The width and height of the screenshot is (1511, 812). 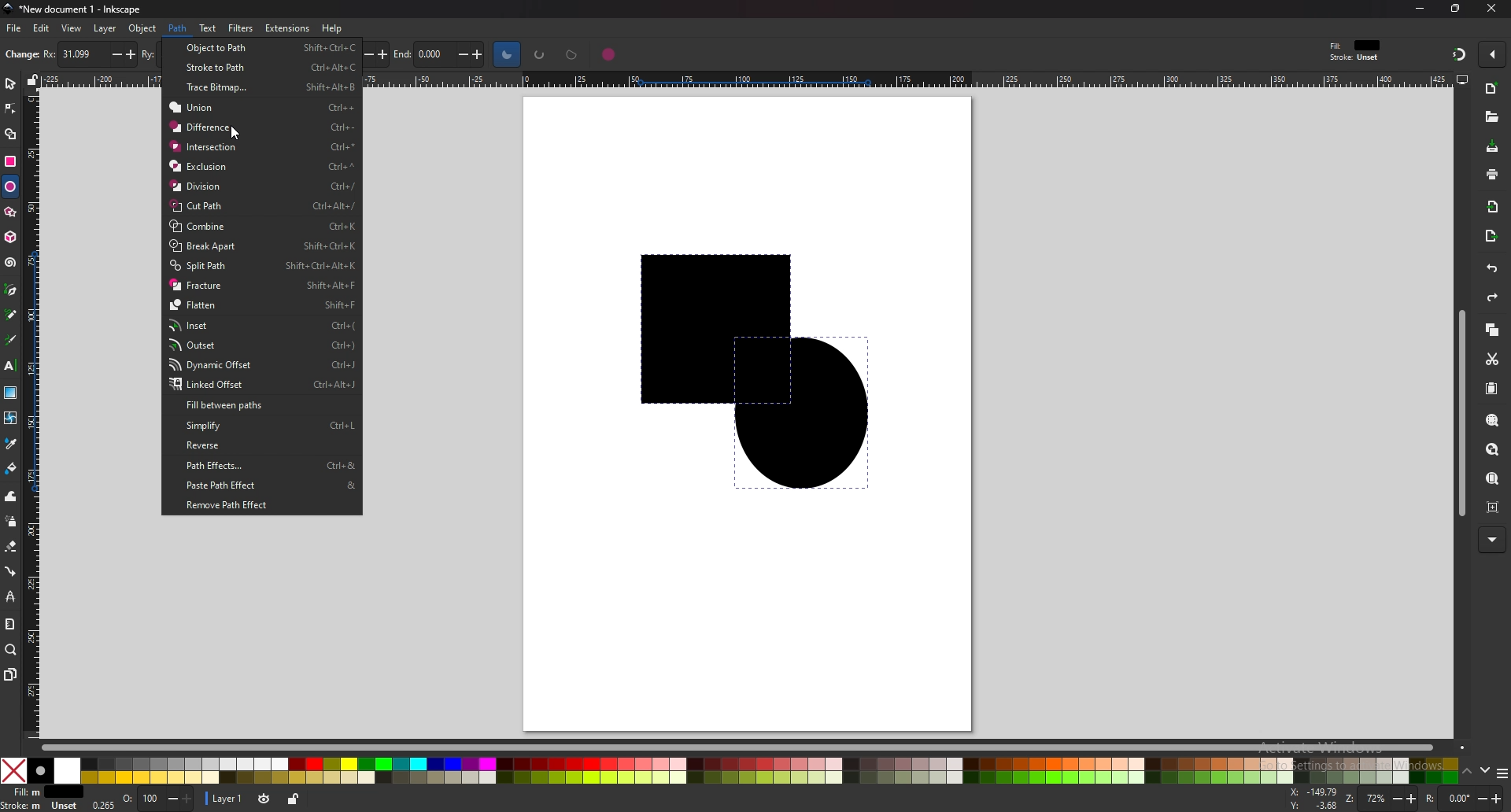 I want to click on save, so click(x=1491, y=146).